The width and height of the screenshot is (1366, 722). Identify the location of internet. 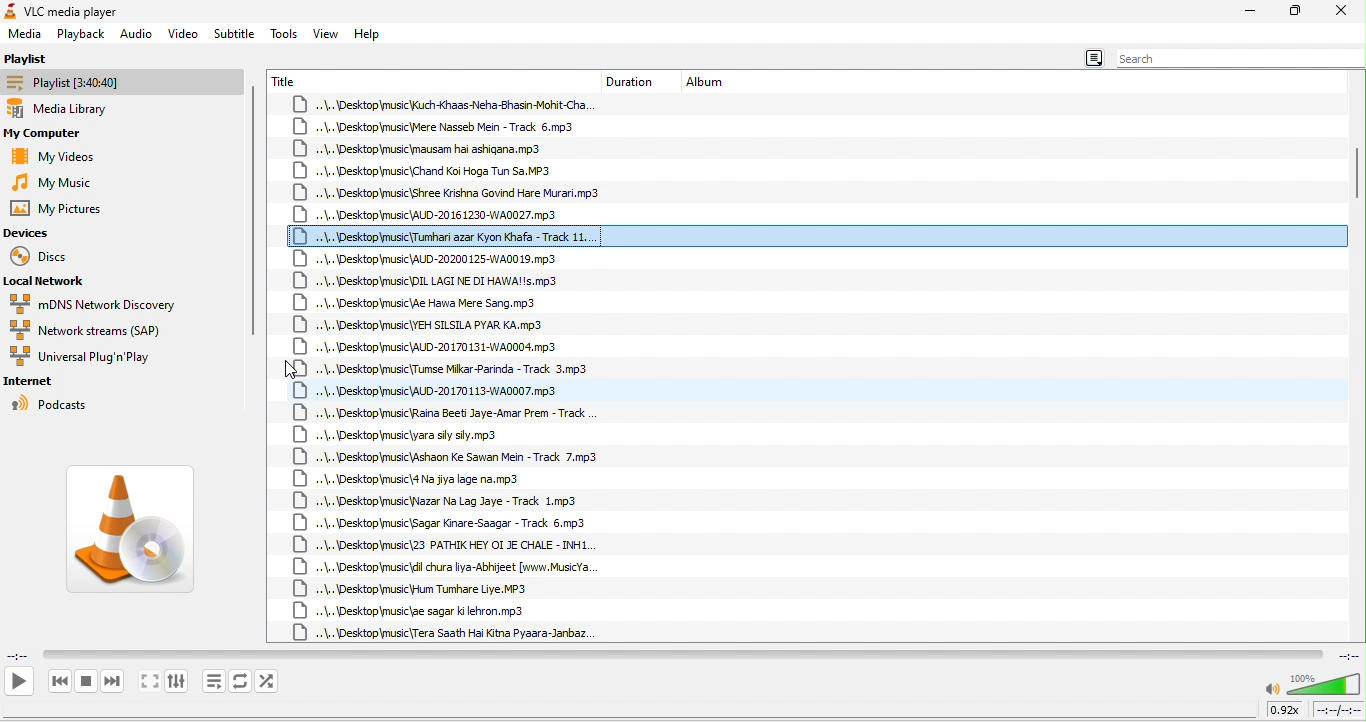
(40, 381).